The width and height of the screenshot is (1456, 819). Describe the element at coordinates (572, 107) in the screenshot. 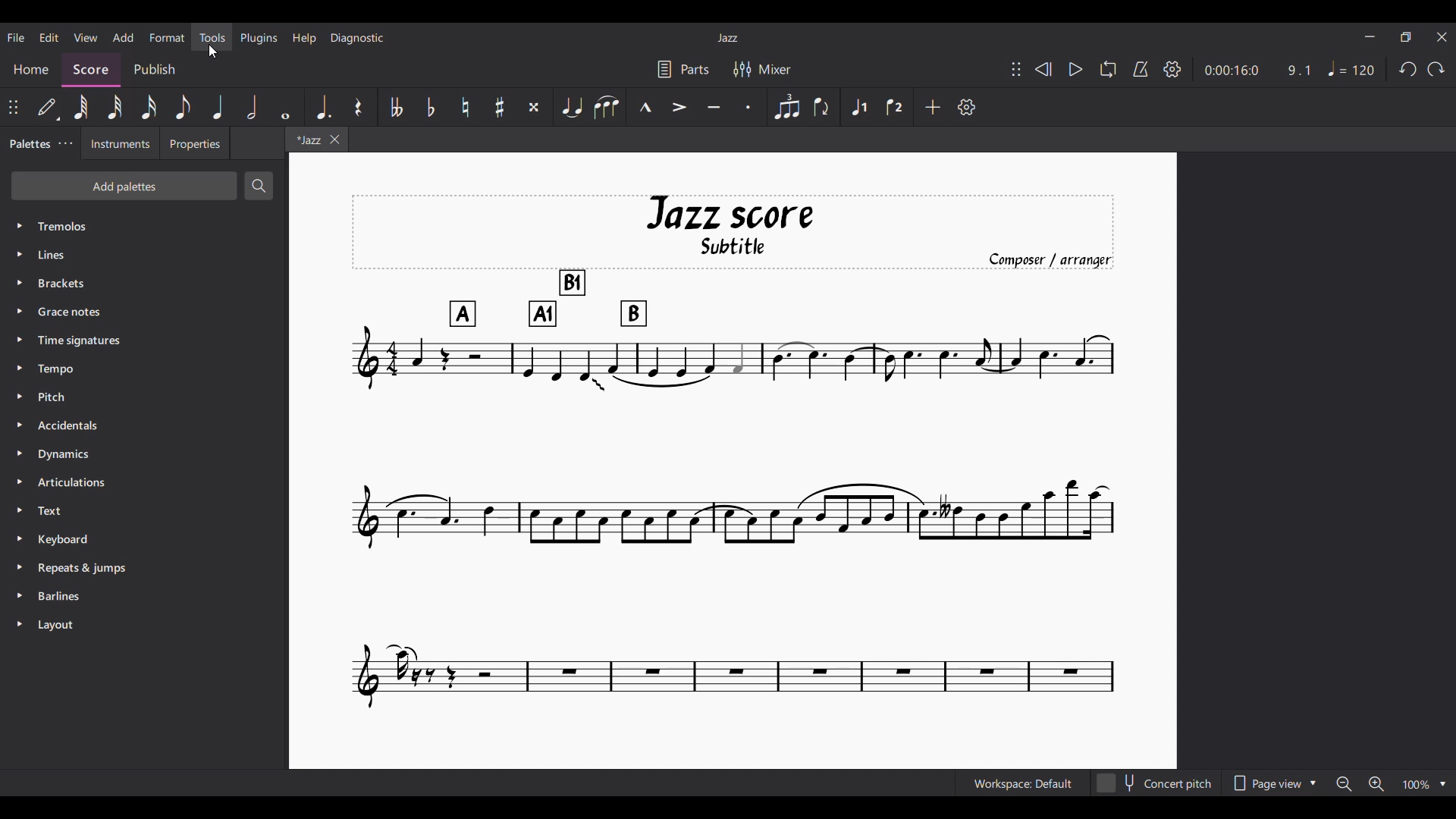

I see `Tie` at that location.